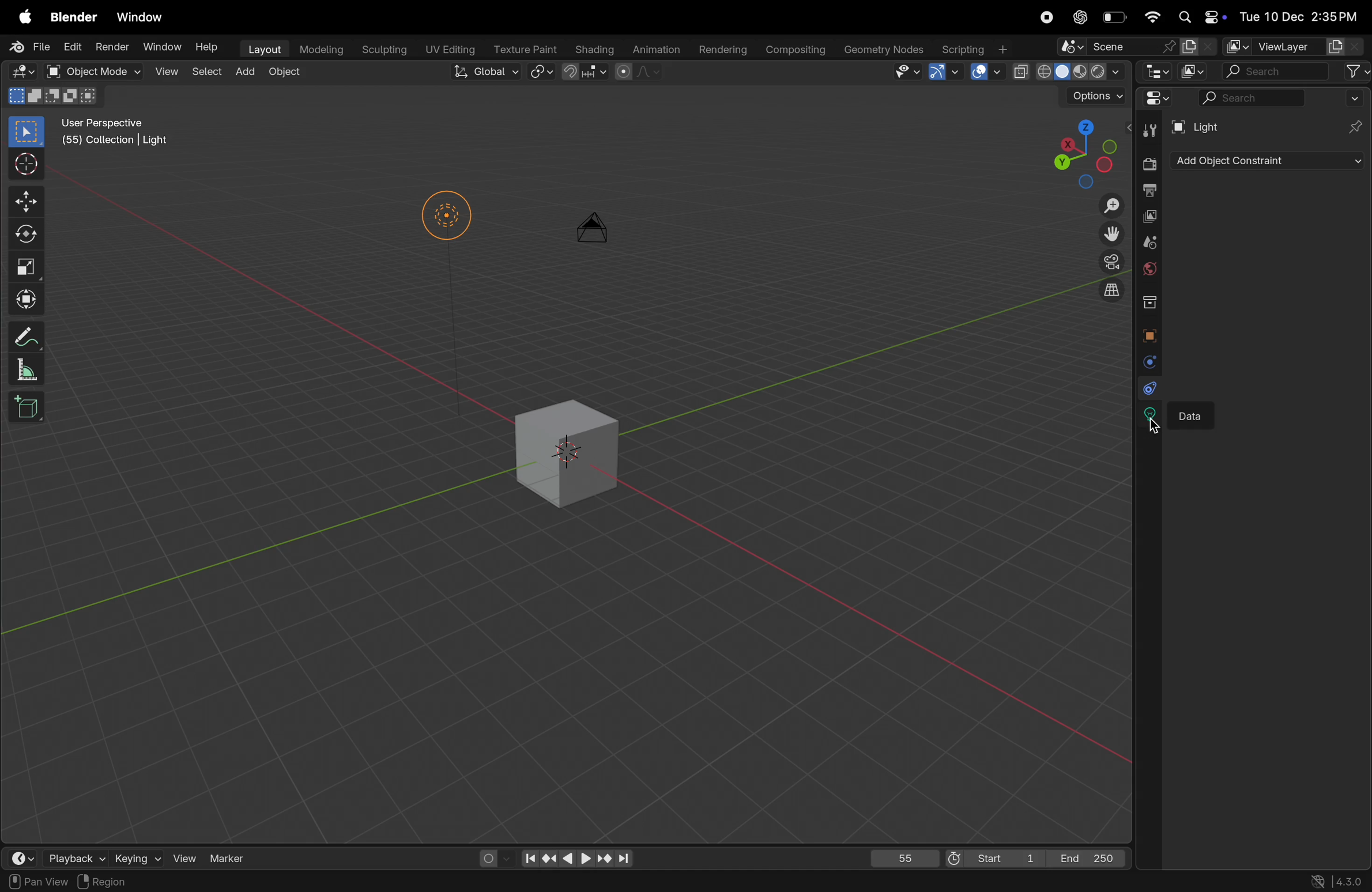  Describe the element at coordinates (1147, 217) in the screenshot. I see `view layer` at that location.